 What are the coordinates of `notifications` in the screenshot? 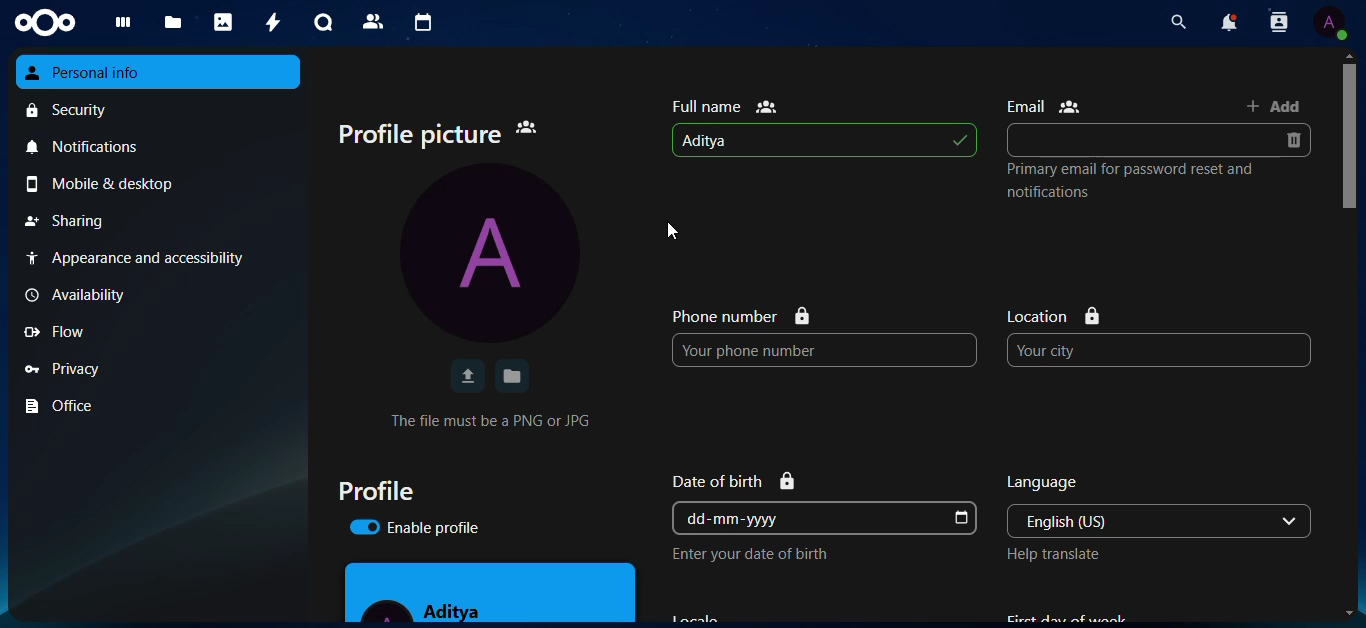 It's located at (160, 145).